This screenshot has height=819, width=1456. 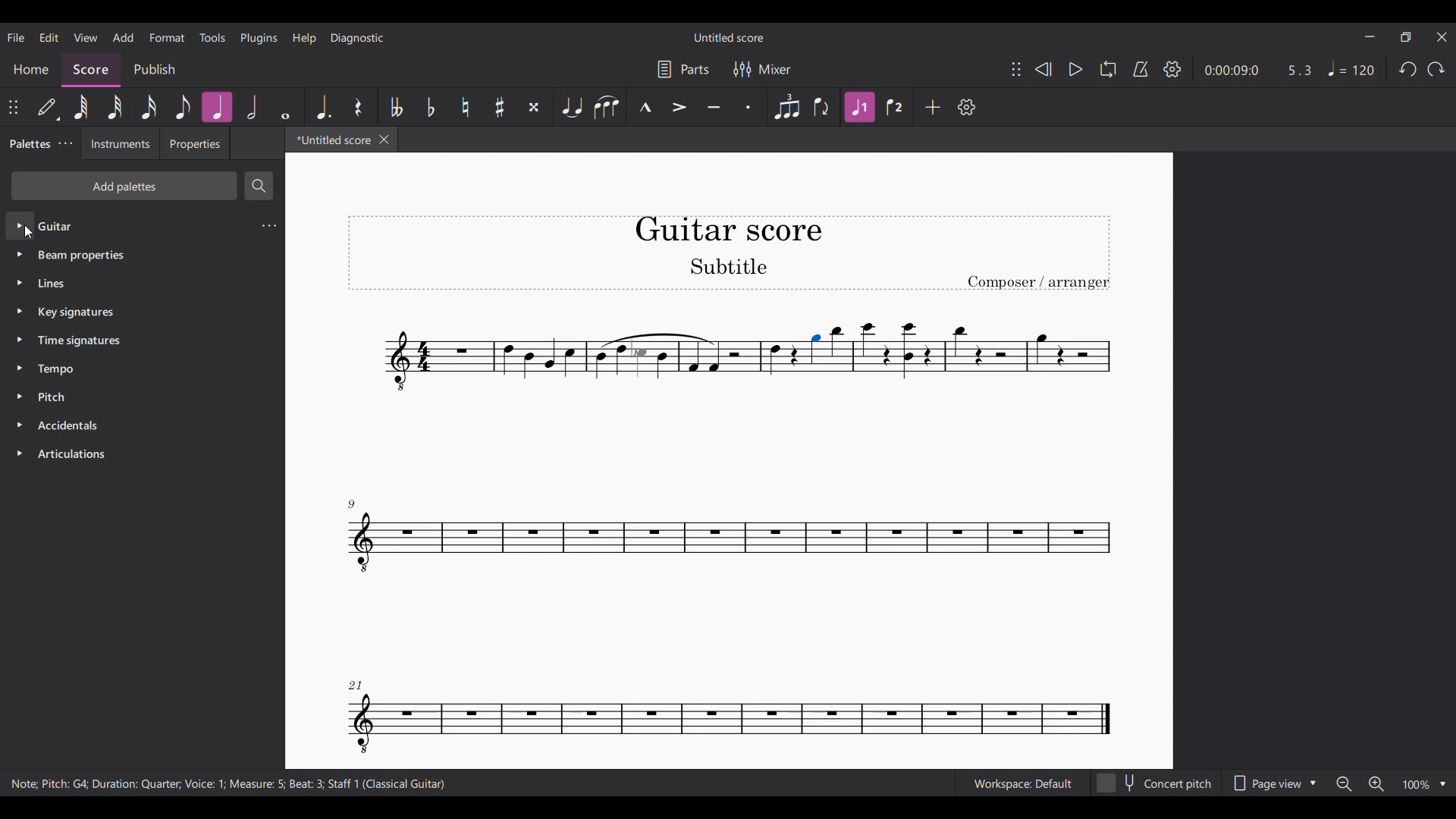 What do you see at coordinates (17, 37) in the screenshot?
I see `File menu` at bounding box center [17, 37].